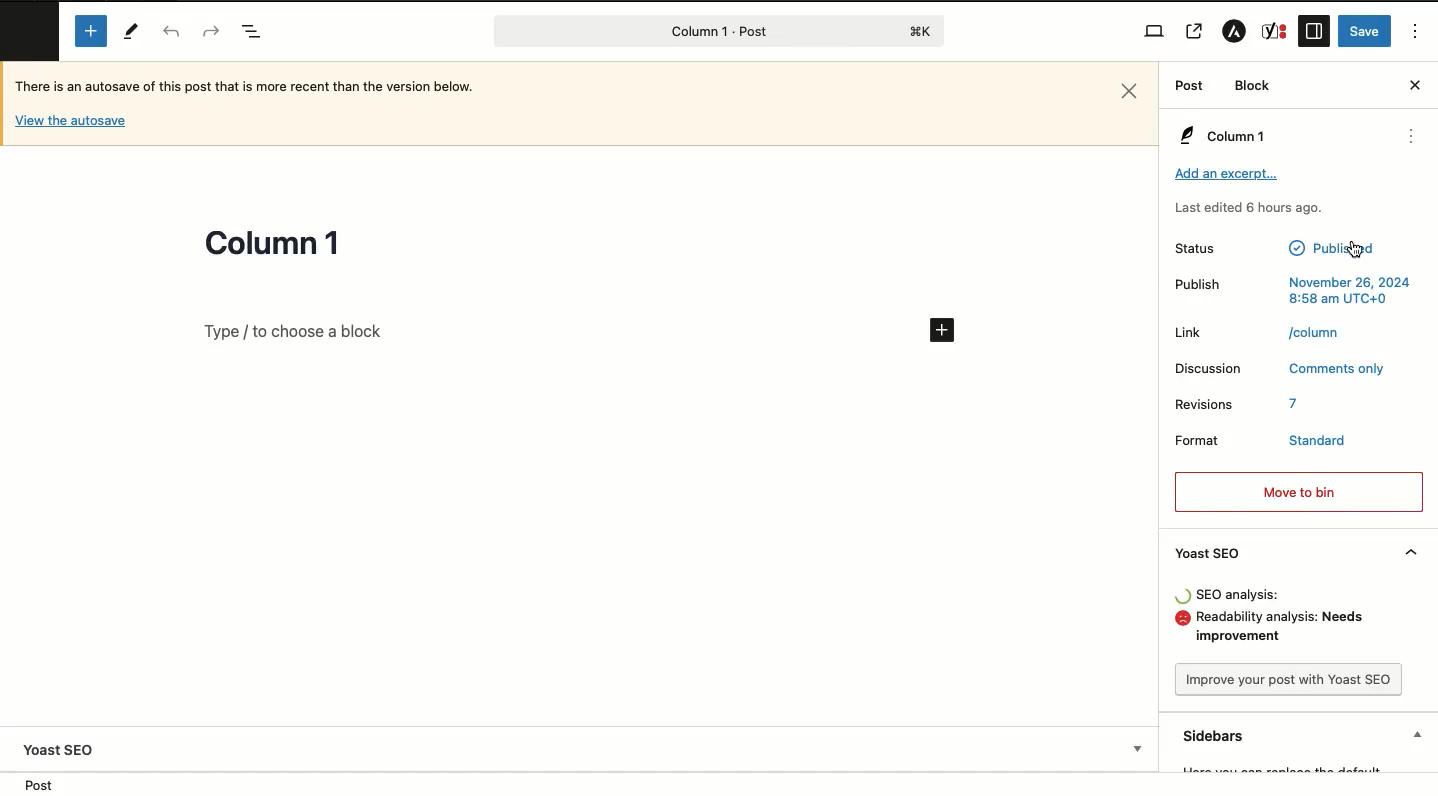 This screenshot has height=796, width=1438. I want to click on Revisions, so click(1204, 405).